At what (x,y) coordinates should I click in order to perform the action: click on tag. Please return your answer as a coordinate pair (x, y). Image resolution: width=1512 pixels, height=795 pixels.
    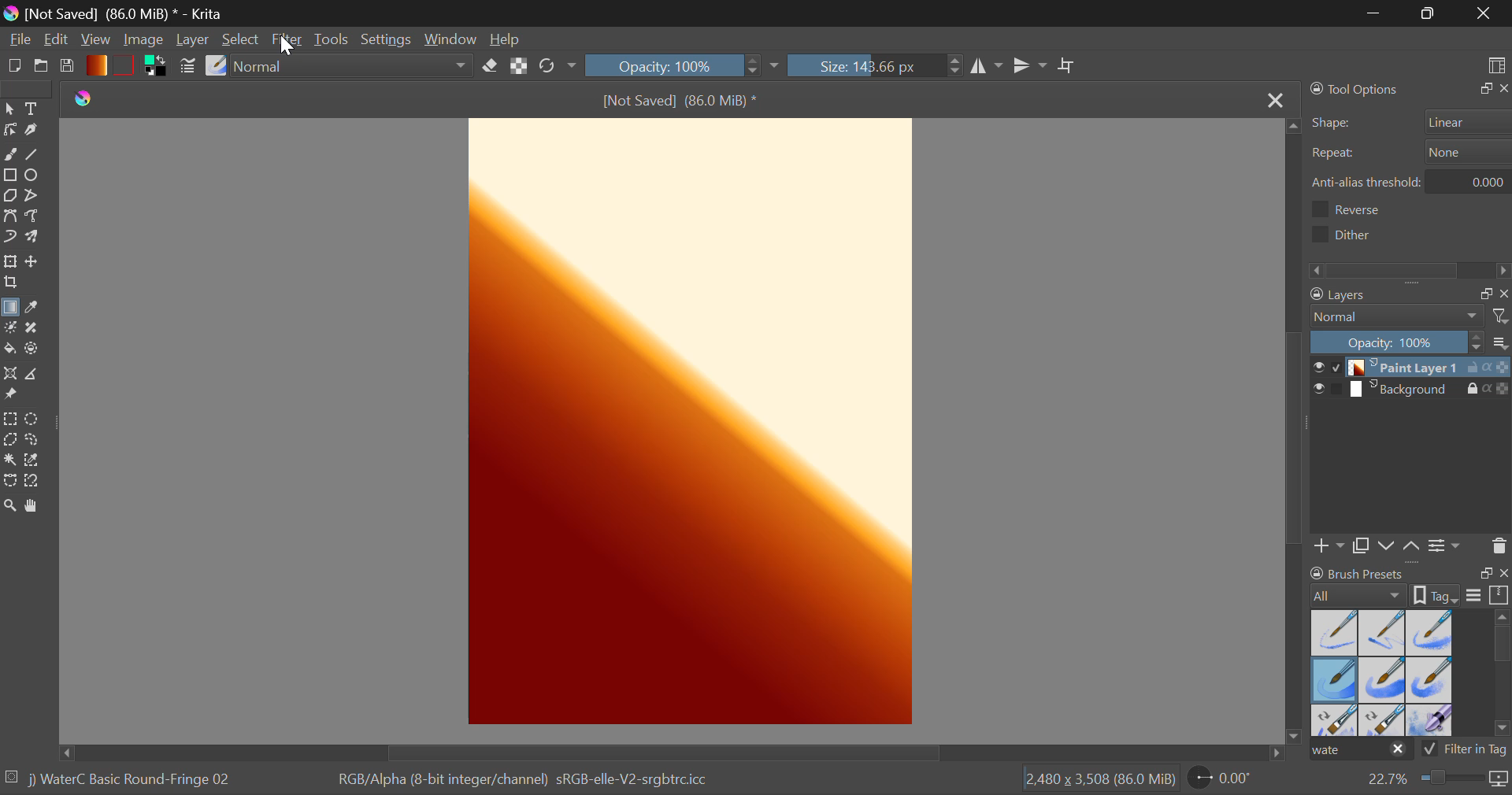
    Looking at the image, I should click on (1438, 594).